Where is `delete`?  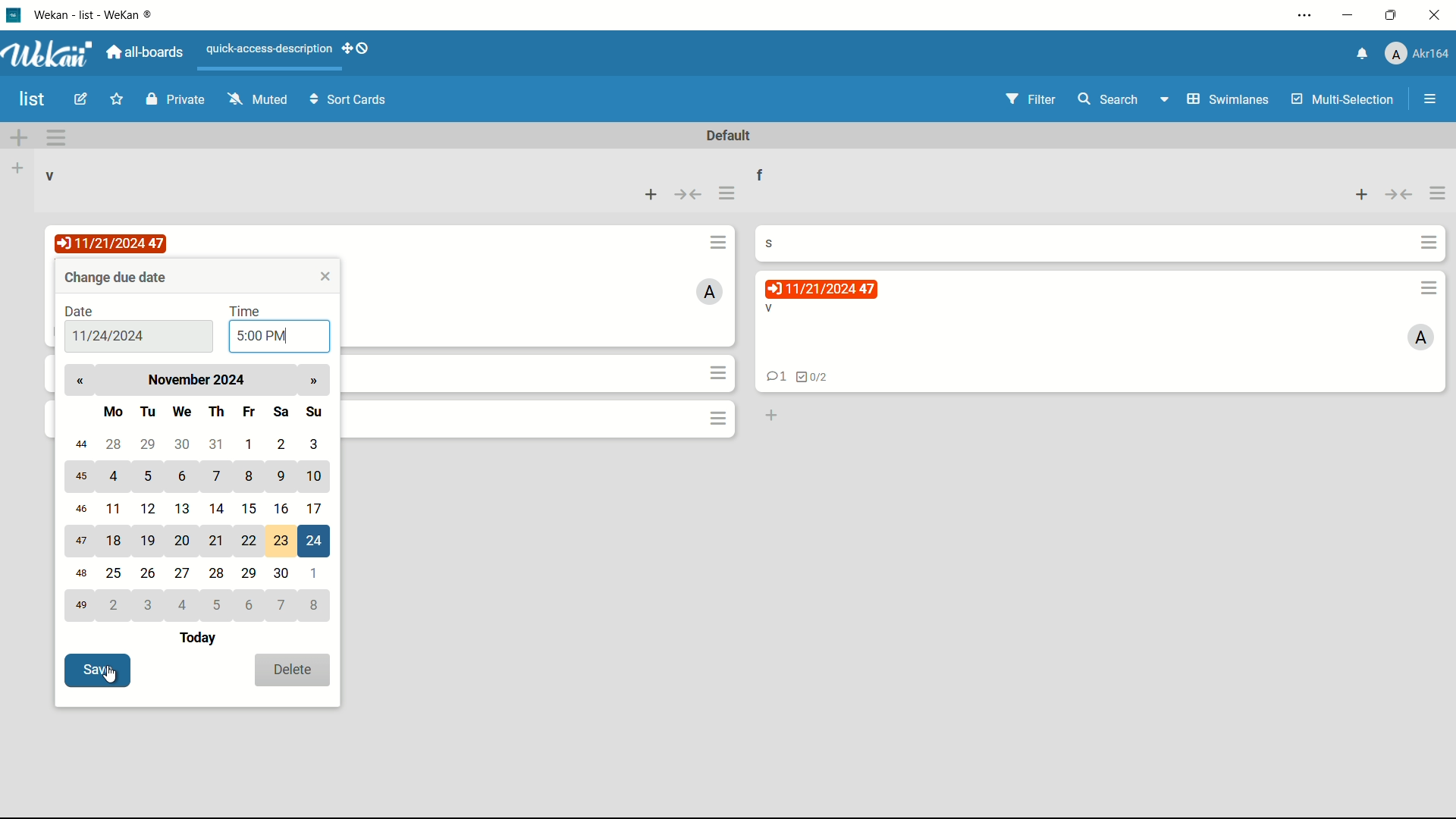
delete is located at coordinates (293, 670).